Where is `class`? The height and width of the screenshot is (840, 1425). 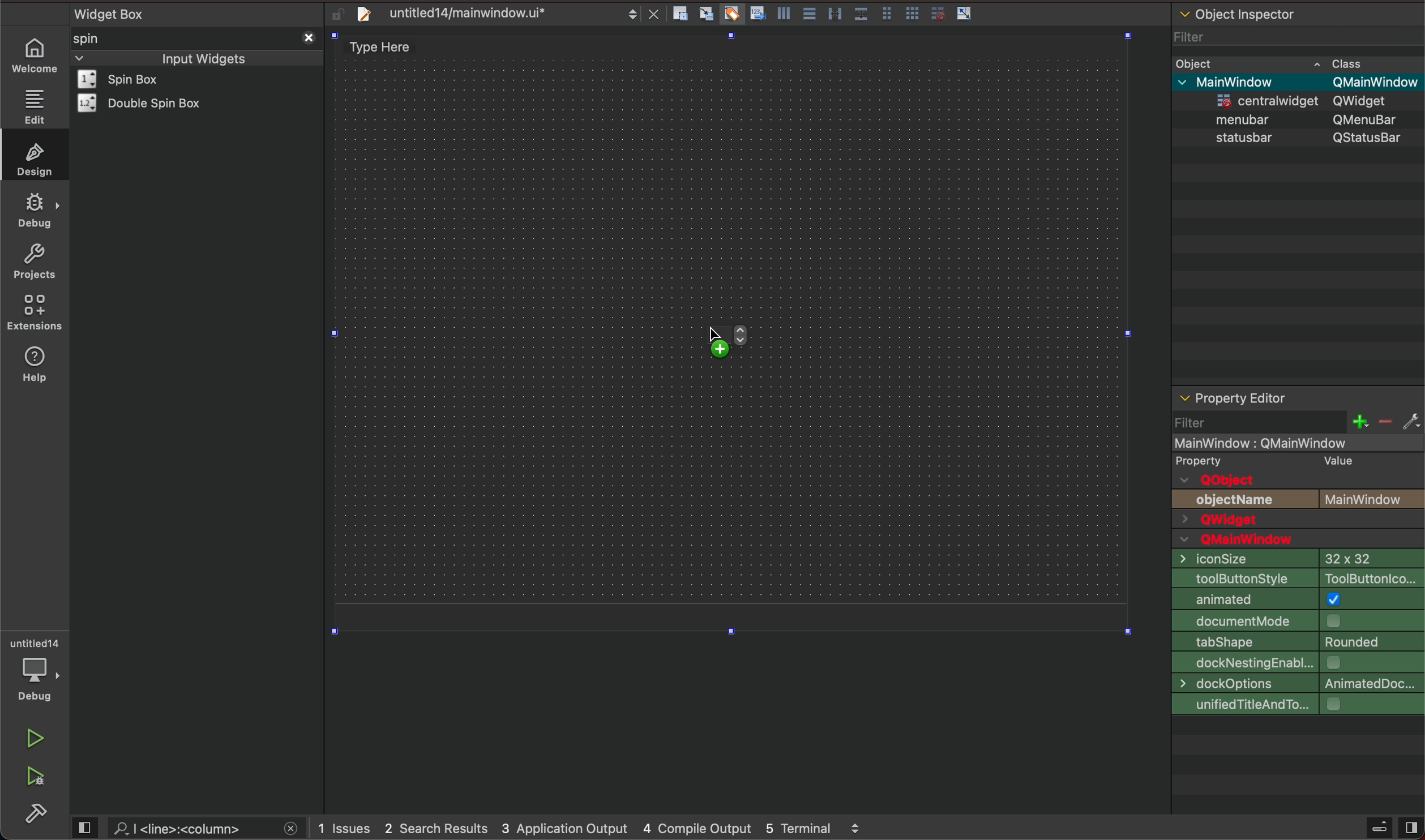
class is located at coordinates (1349, 62).